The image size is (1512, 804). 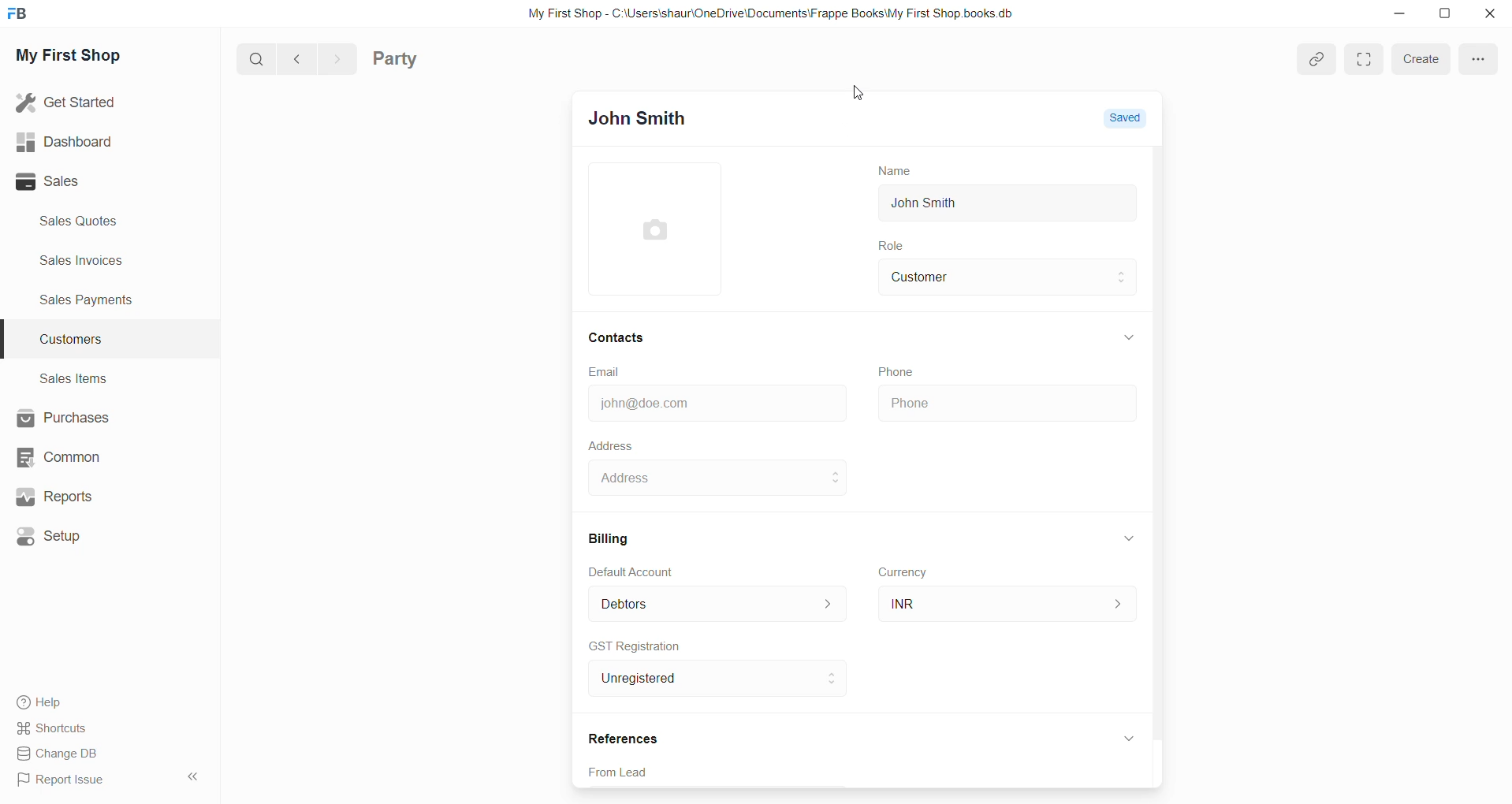 I want to click on Dashboard, so click(x=61, y=140).